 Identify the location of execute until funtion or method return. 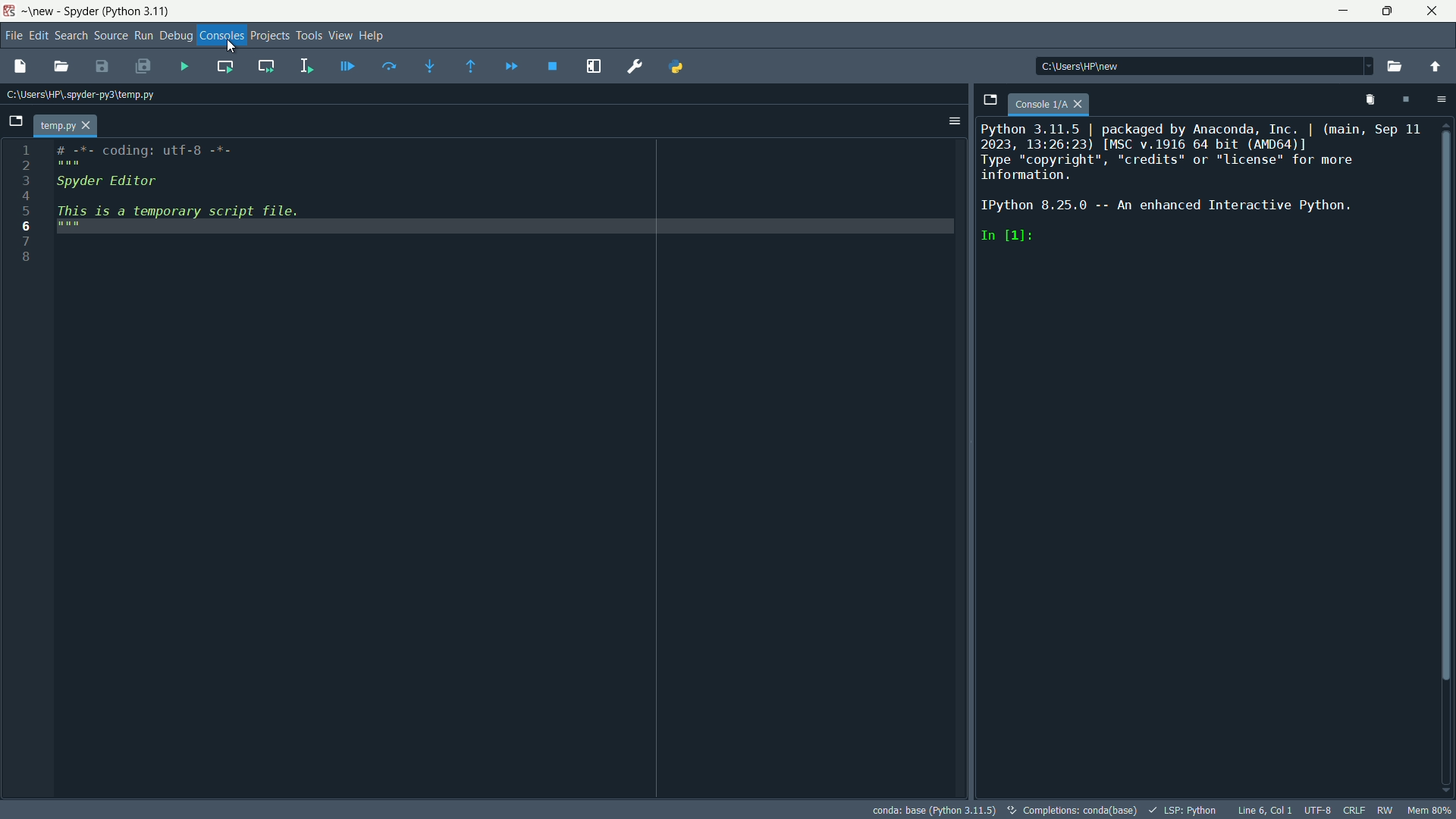
(470, 66).